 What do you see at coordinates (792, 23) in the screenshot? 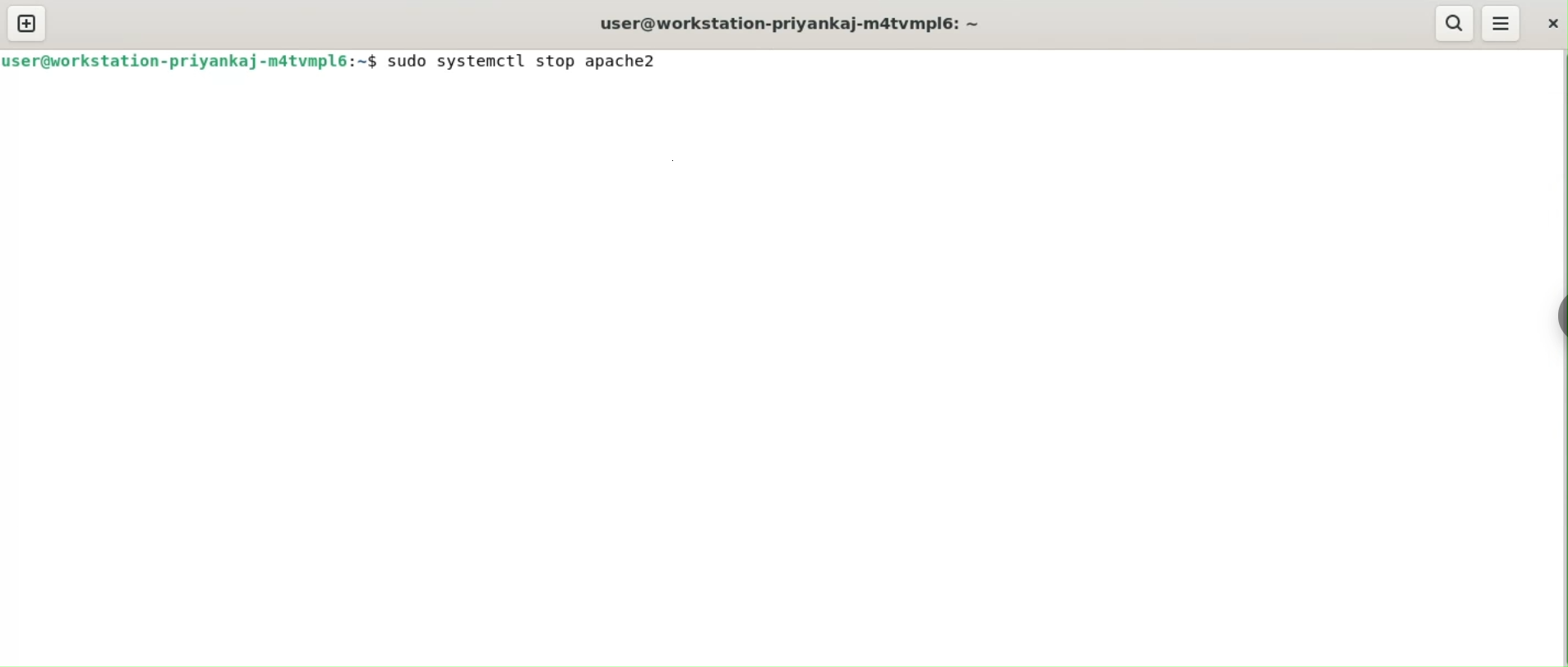
I see `user@workstation-priyankaj-m4tvmlp6:~` at bounding box center [792, 23].